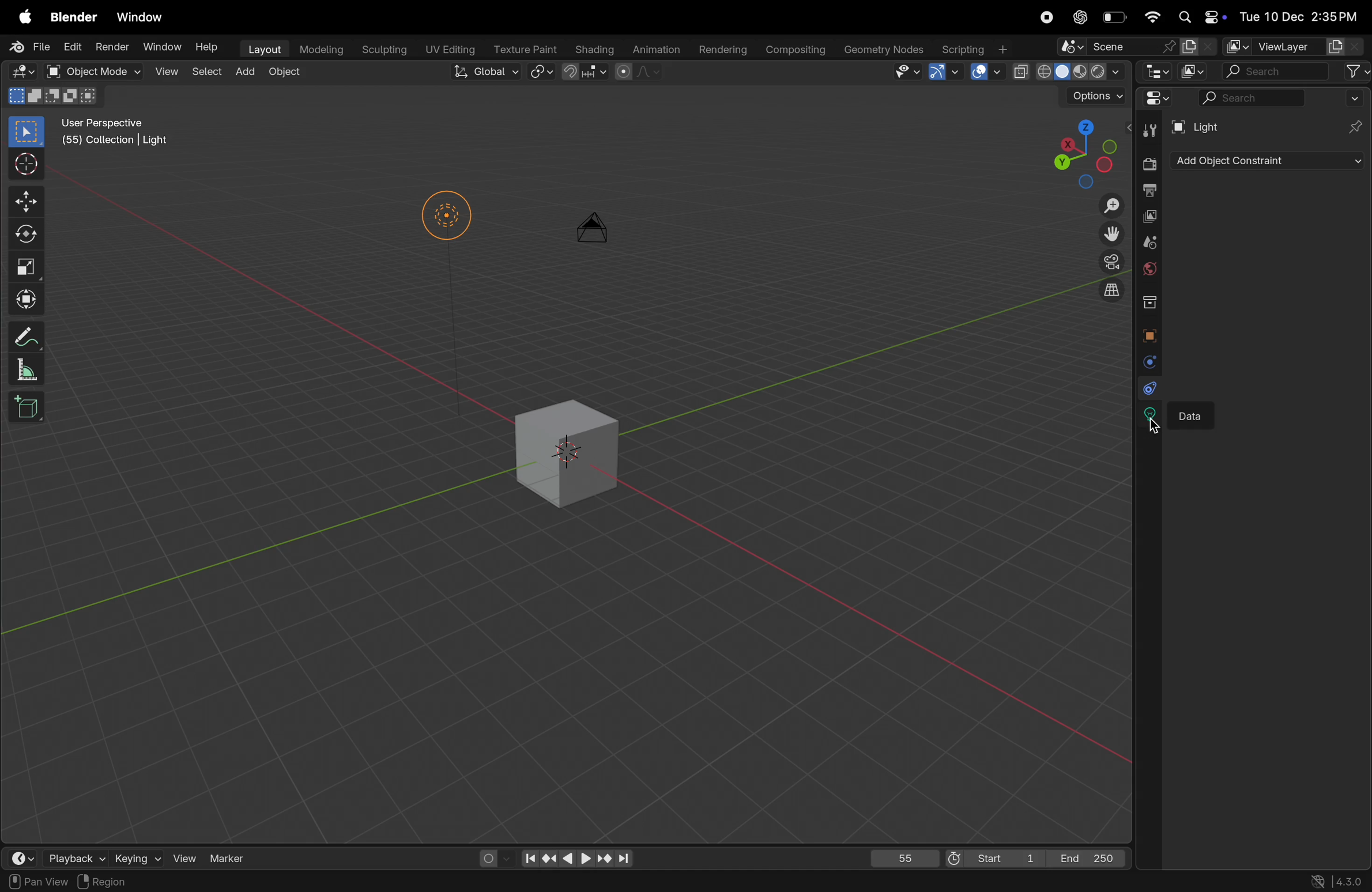  Describe the element at coordinates (262, 48) in the screenshot. I see `layout` at that location.